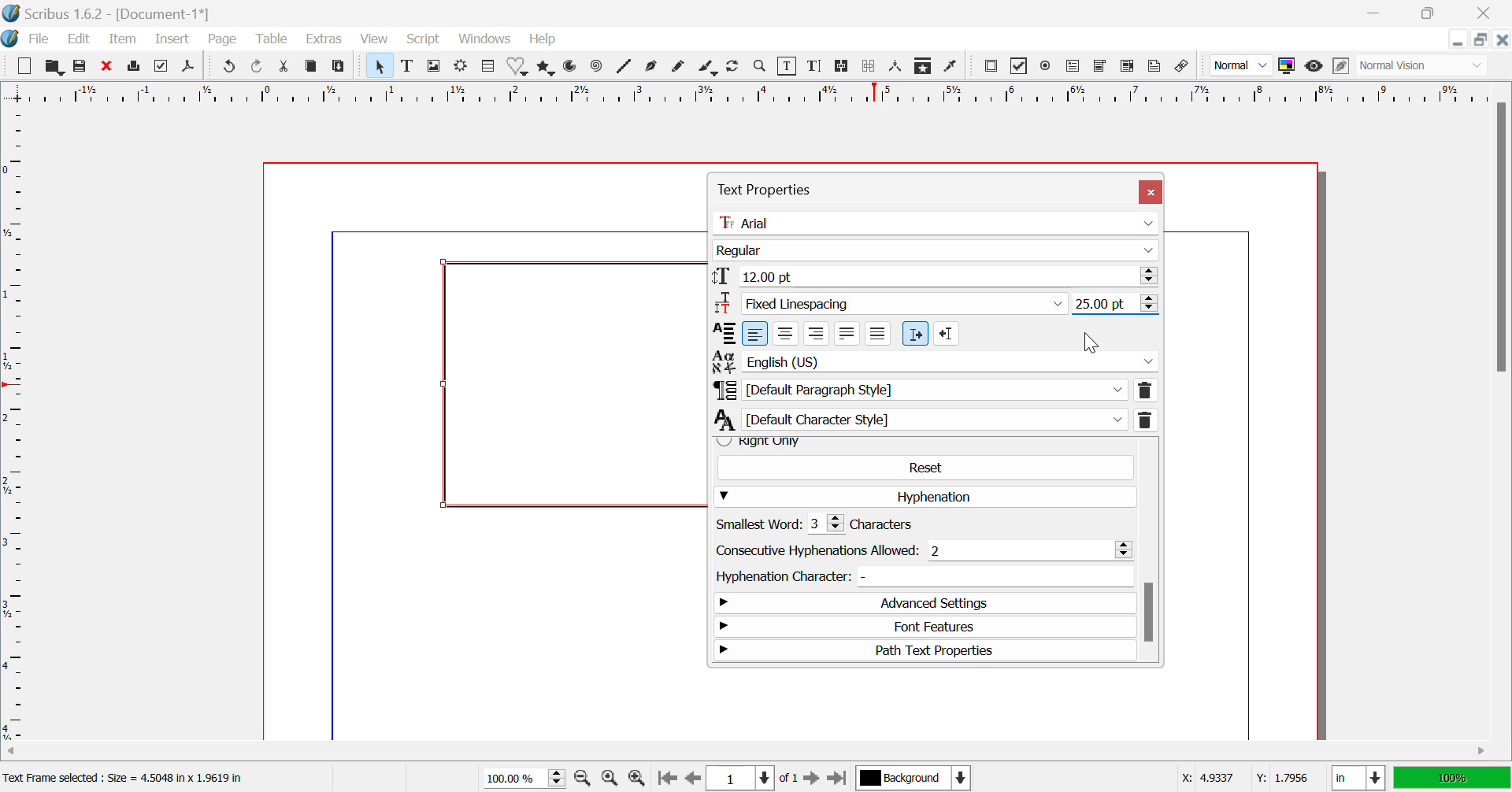 The height and width of the screenshot is (792, 1512). I want to click on Open, so click(54, 66).